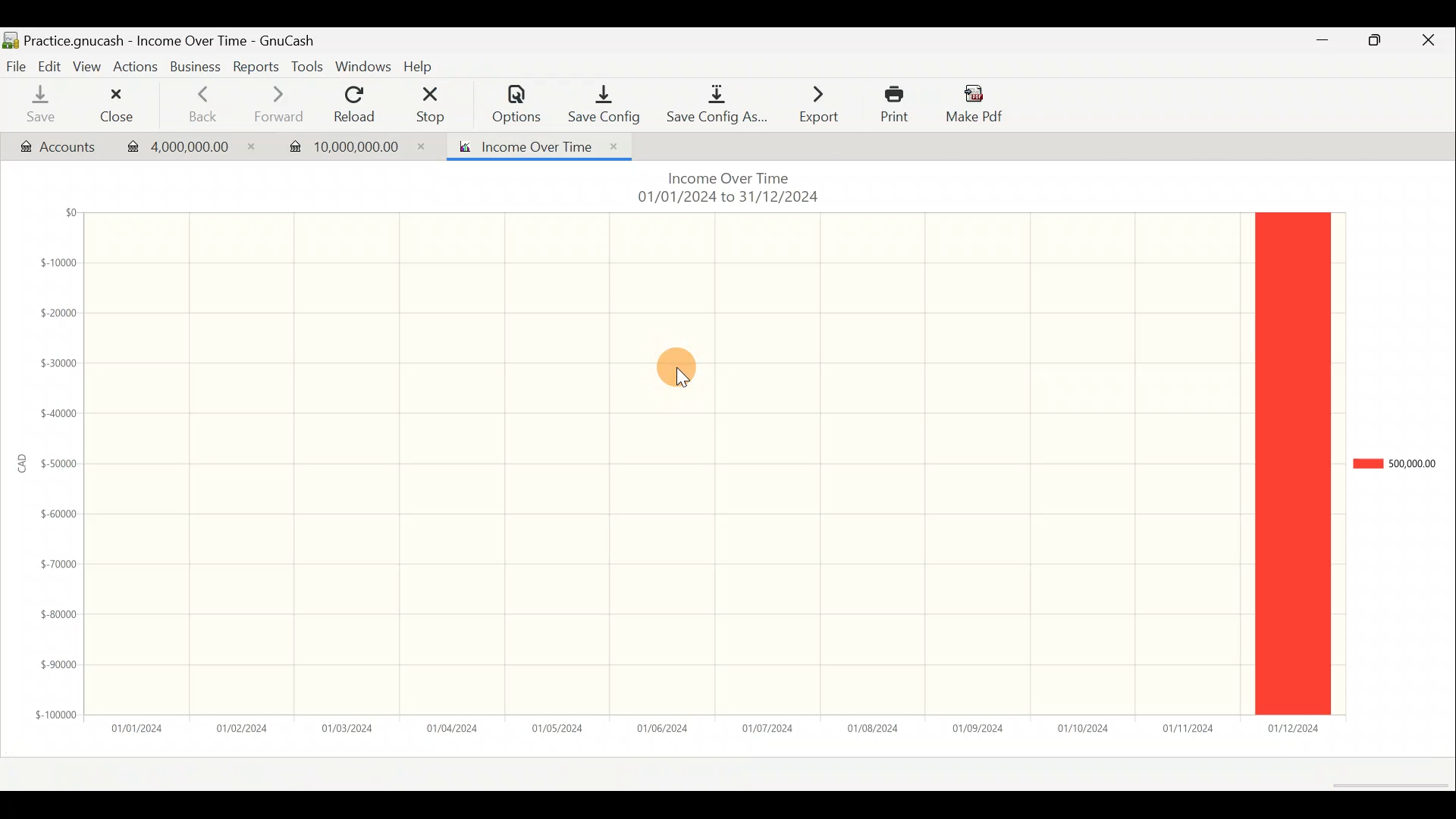 This screenshot has height=819, width=1456. What do you see at coordinates (346, 727) in the screenshot?
I see `01/03/2024` at bounding box center [346, 727].